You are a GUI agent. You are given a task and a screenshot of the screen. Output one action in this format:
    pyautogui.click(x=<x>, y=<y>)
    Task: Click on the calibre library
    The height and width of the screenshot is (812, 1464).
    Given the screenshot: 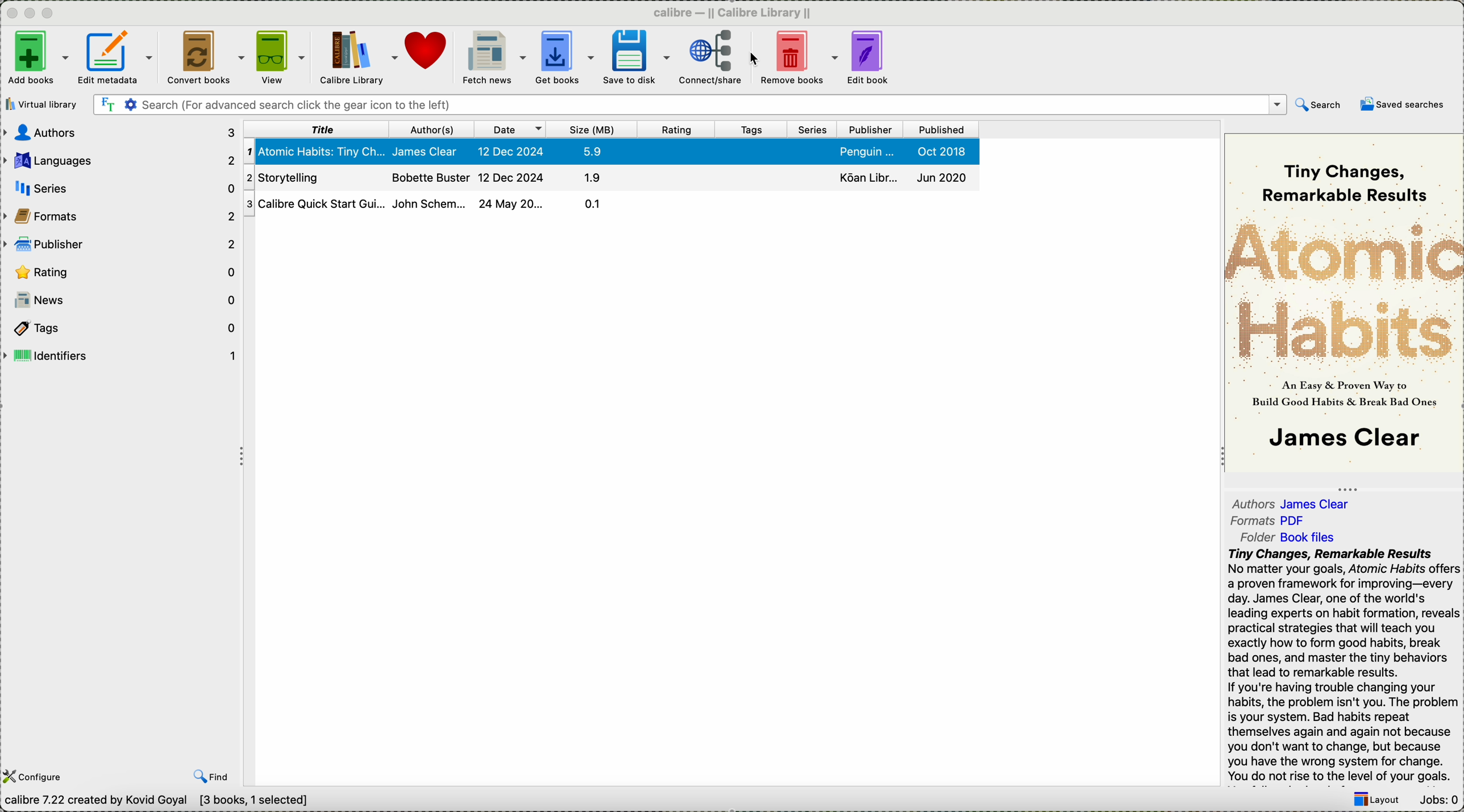 What is the action you would take?
    pyautogui.click(x=359, y=59)
    